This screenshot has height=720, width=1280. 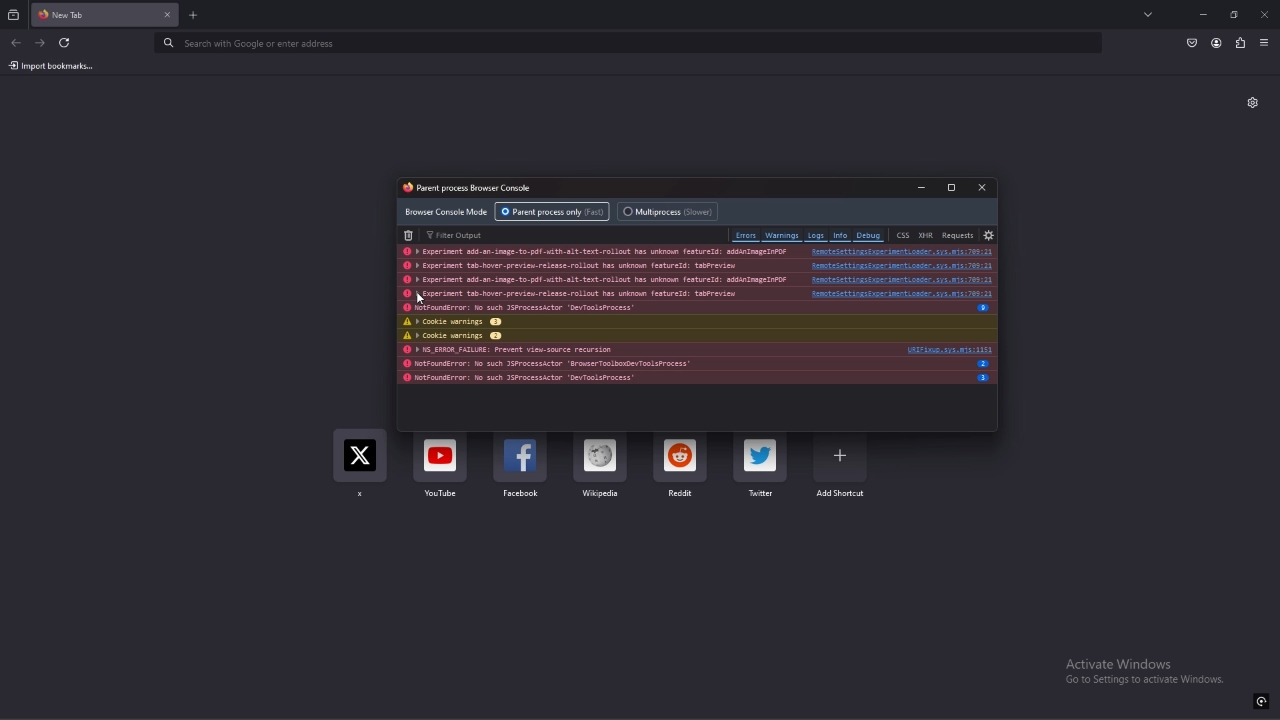 I want to click on reddiut, so click(x=681, y=470).